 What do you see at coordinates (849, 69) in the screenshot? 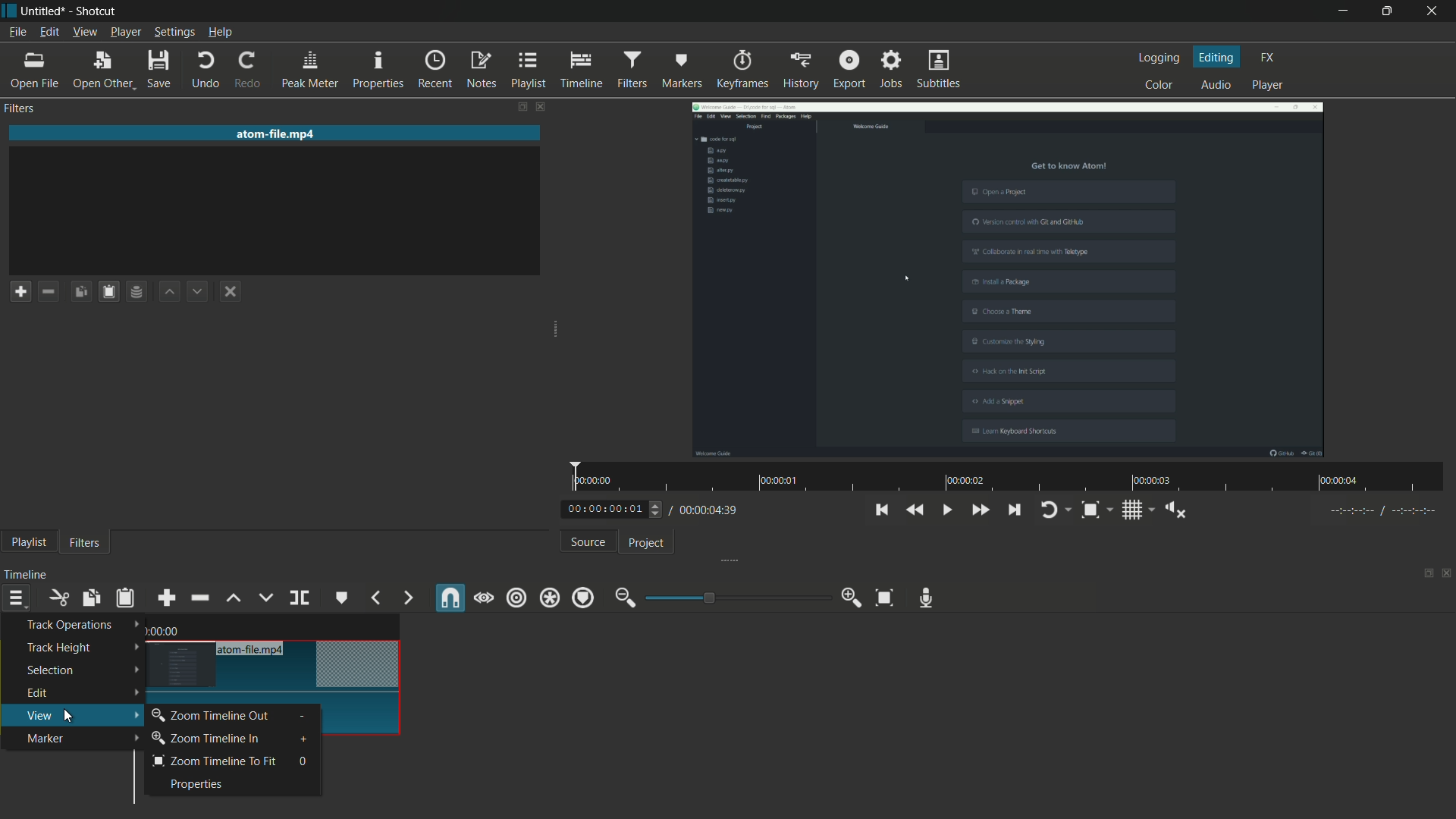
I see `export` at bounding box center [849, 69].